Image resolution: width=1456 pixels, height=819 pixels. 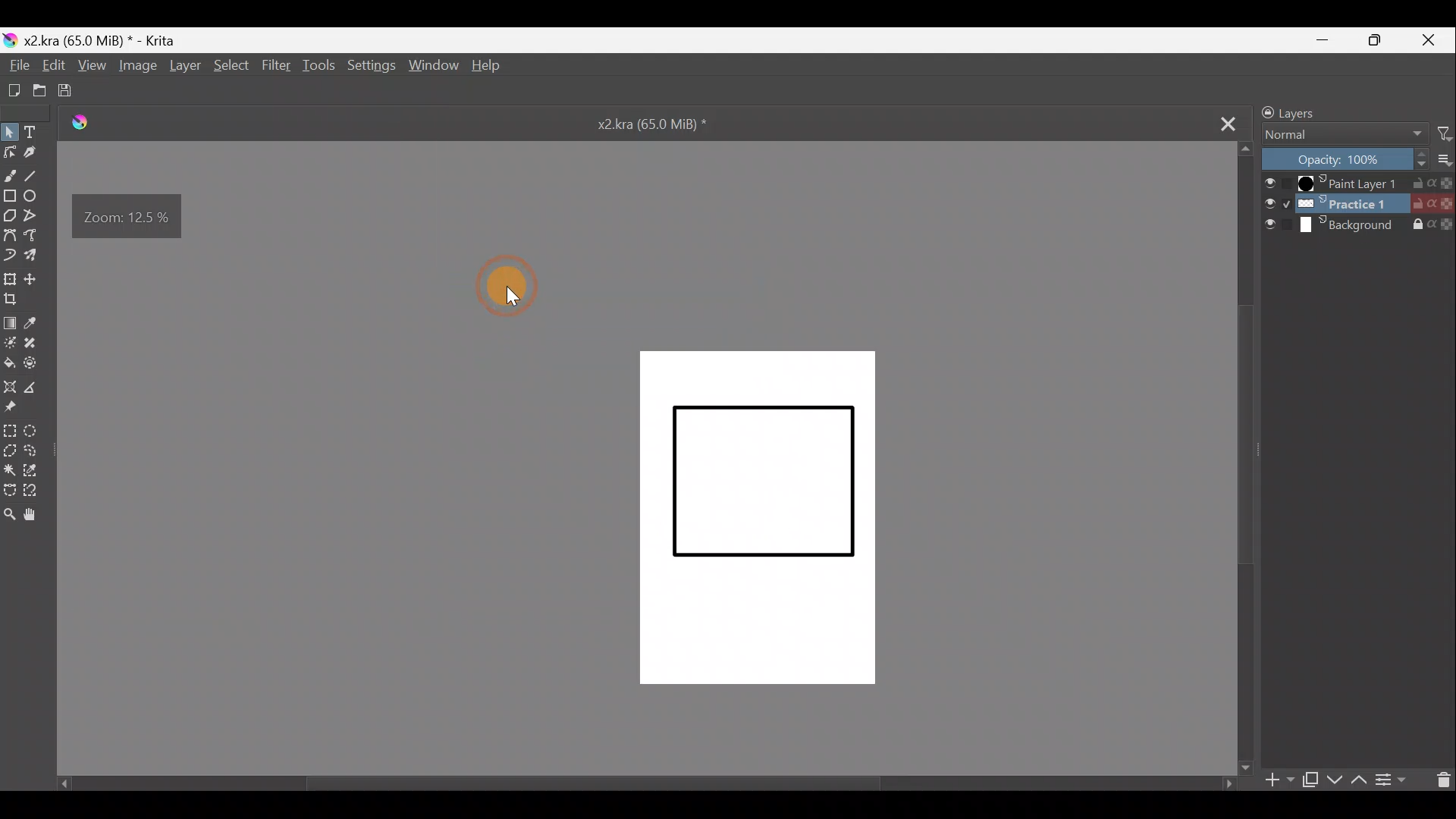 What do you see at coordinates (1373, 41) in the screenshot?
I see `Maximize` at bounding box center [1373, 41].